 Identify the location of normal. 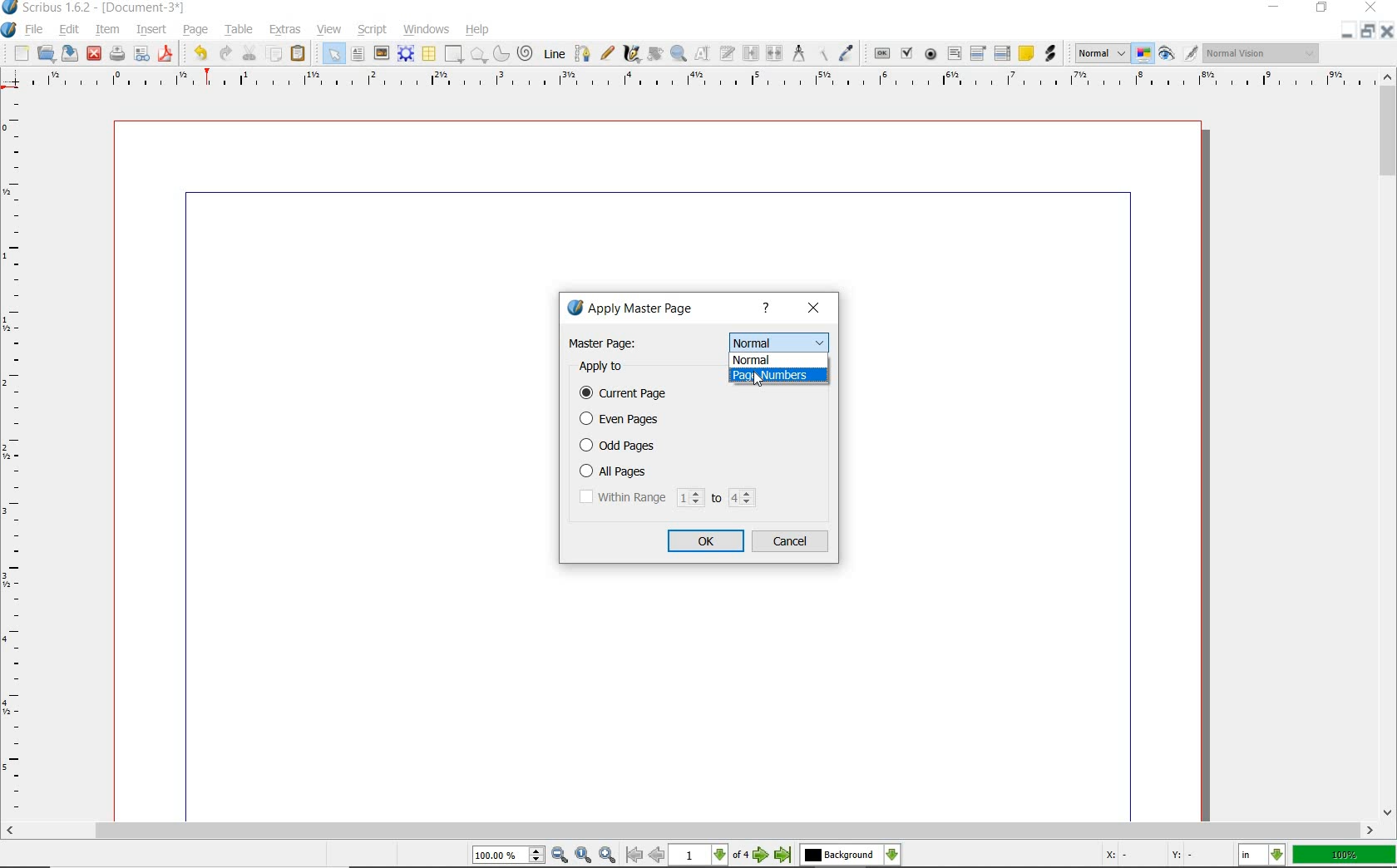
(777, 358).